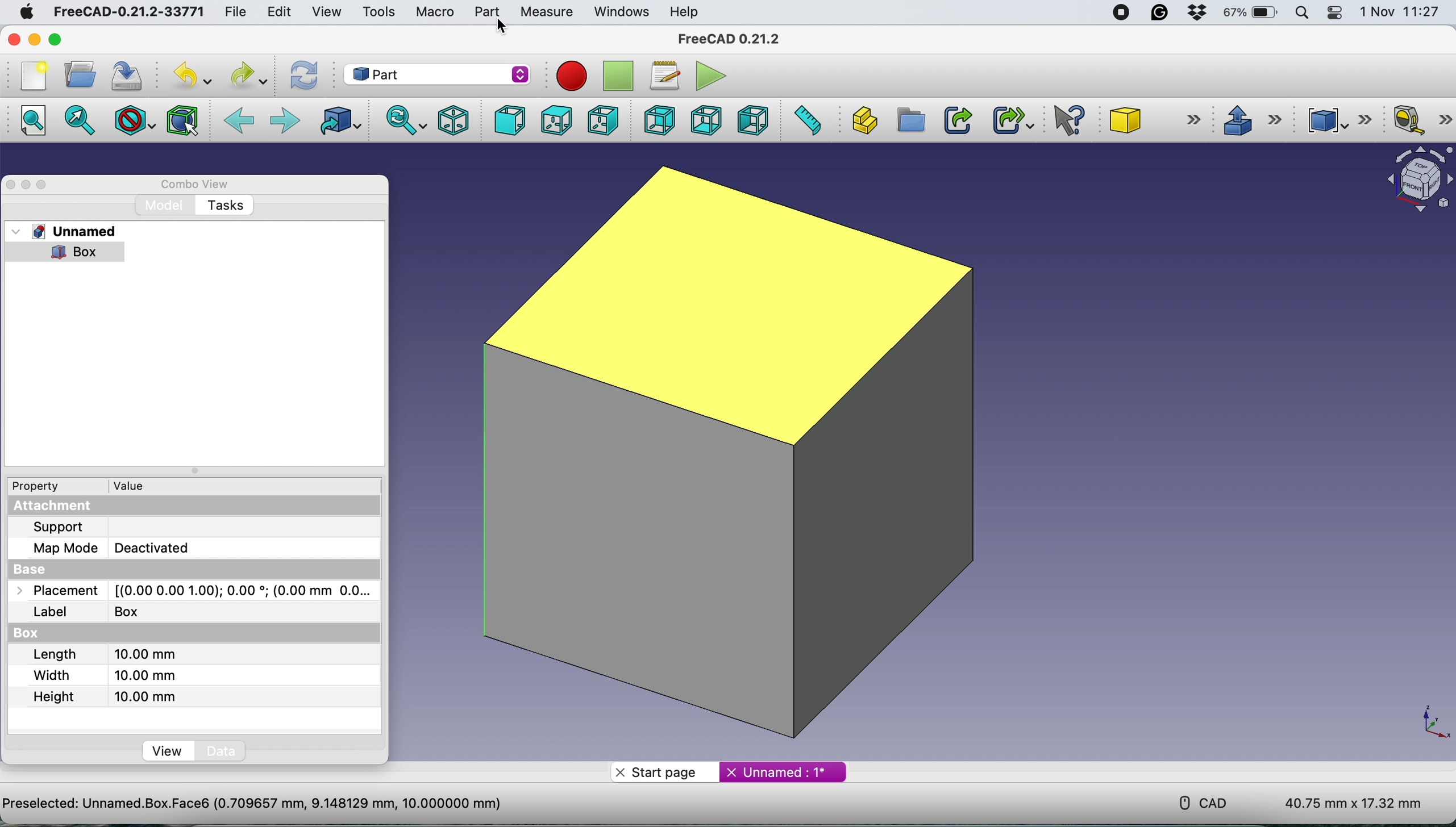 The width and height of the screenshot is (1456, 827). I want to click on bounding box, so click(181, 121).